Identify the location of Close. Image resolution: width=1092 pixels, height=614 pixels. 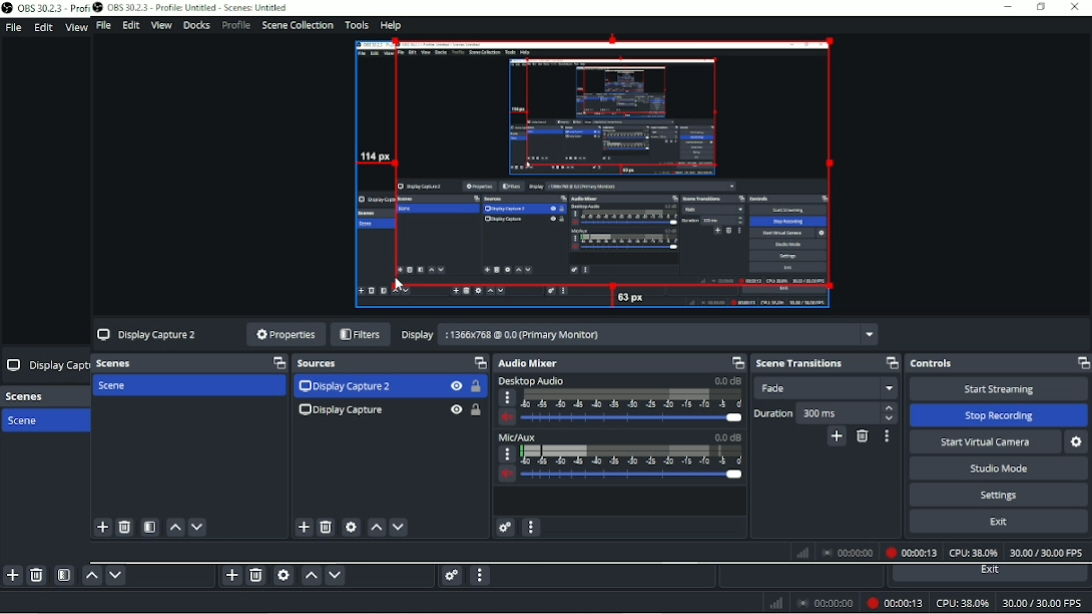
(1078, 7).